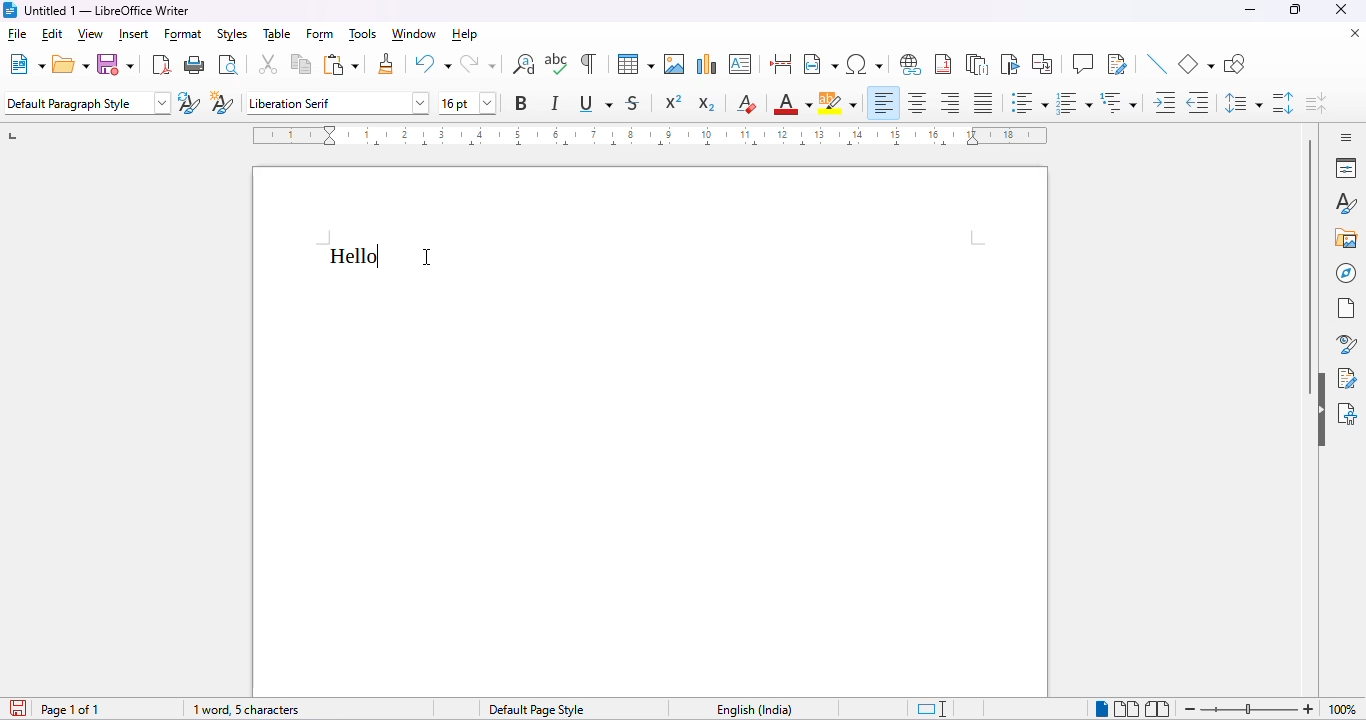 The image size is (1366, 720). Describe the element at coordinates (1126, 709) in the screenshot. I see `multi-page view` at that location.